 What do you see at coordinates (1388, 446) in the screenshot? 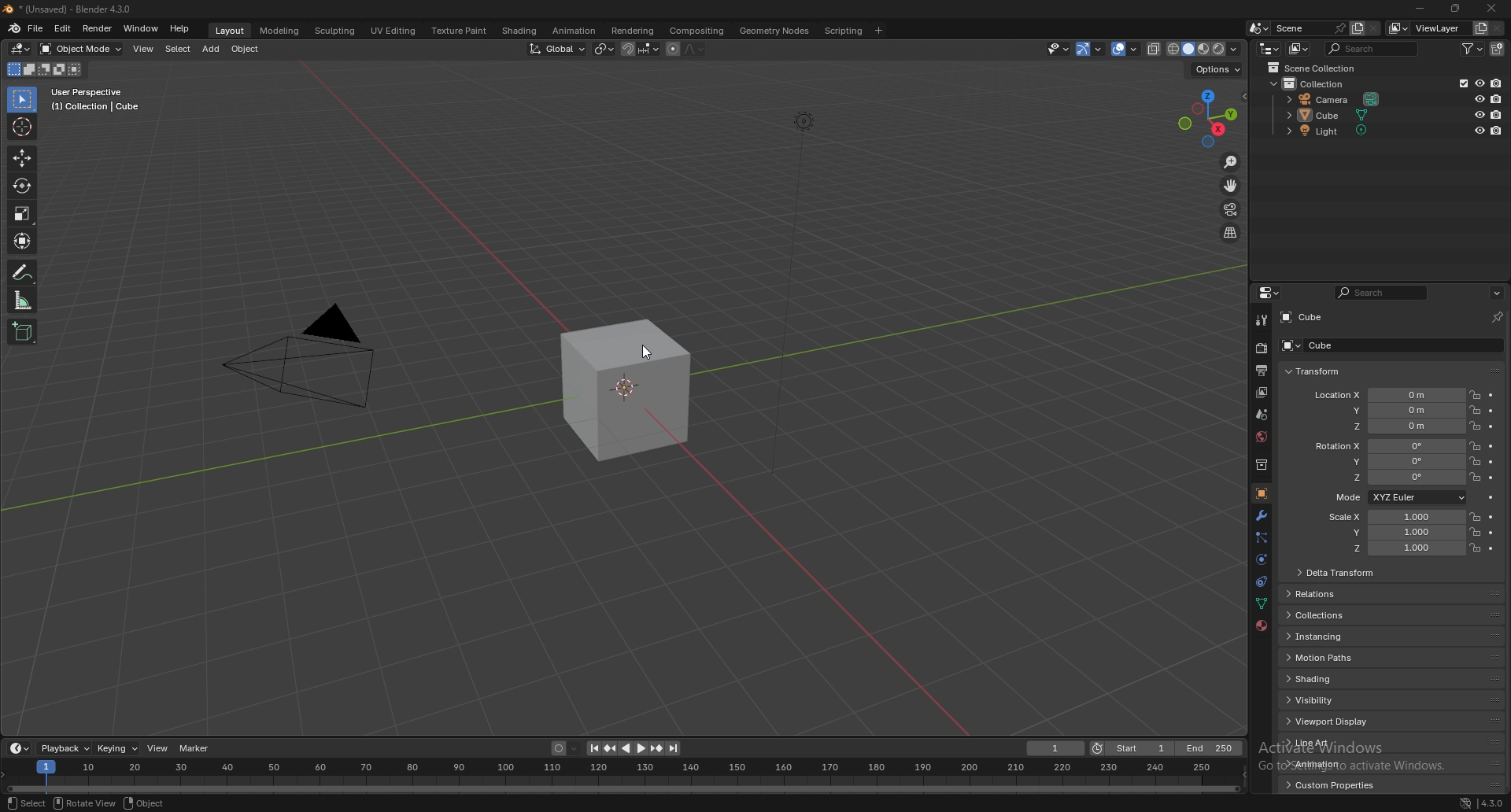
I see `rotation x` at bounding box center [1388, 446].